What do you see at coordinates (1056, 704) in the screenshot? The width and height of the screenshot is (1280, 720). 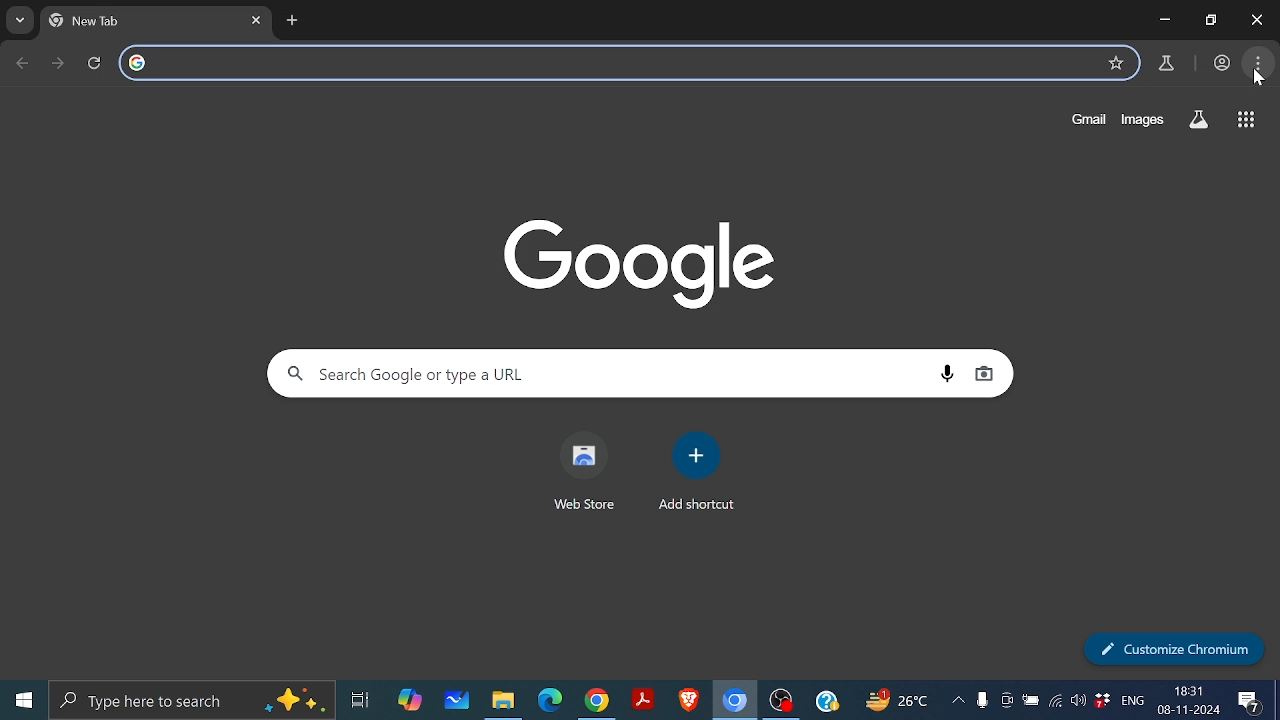 I see `connection` at bounding box center [1056, 704].